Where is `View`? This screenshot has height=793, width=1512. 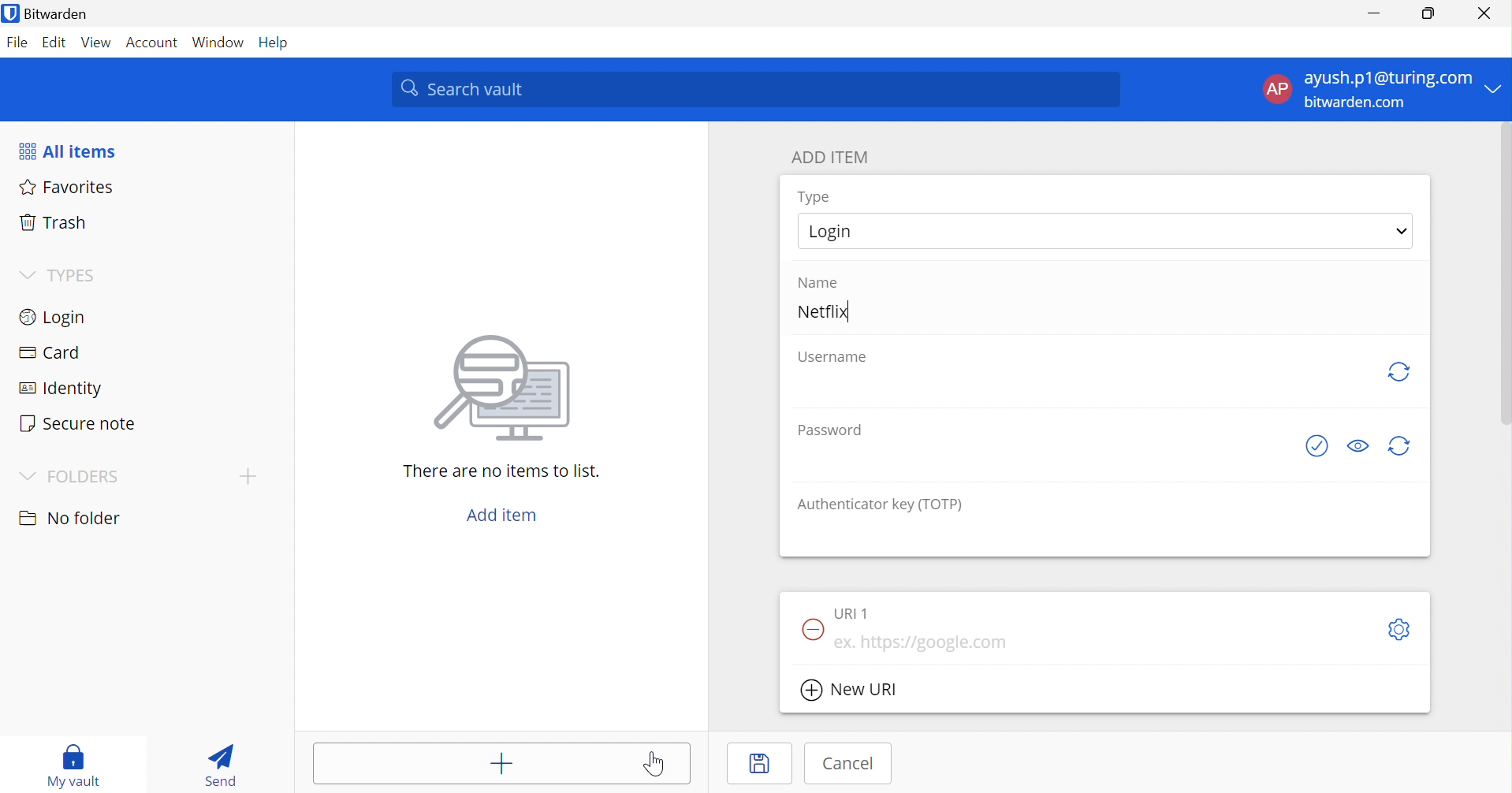
View is located at coordinates (96, 43).